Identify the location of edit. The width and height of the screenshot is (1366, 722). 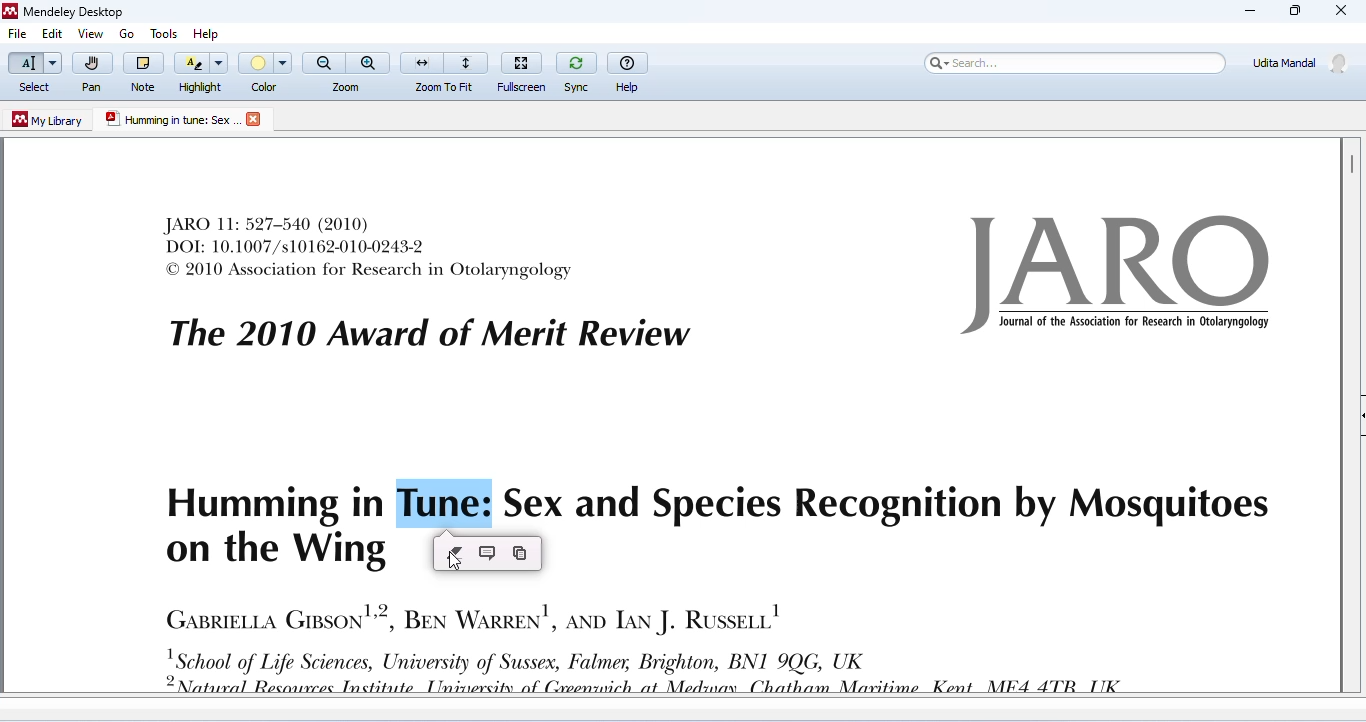
(51, 35).